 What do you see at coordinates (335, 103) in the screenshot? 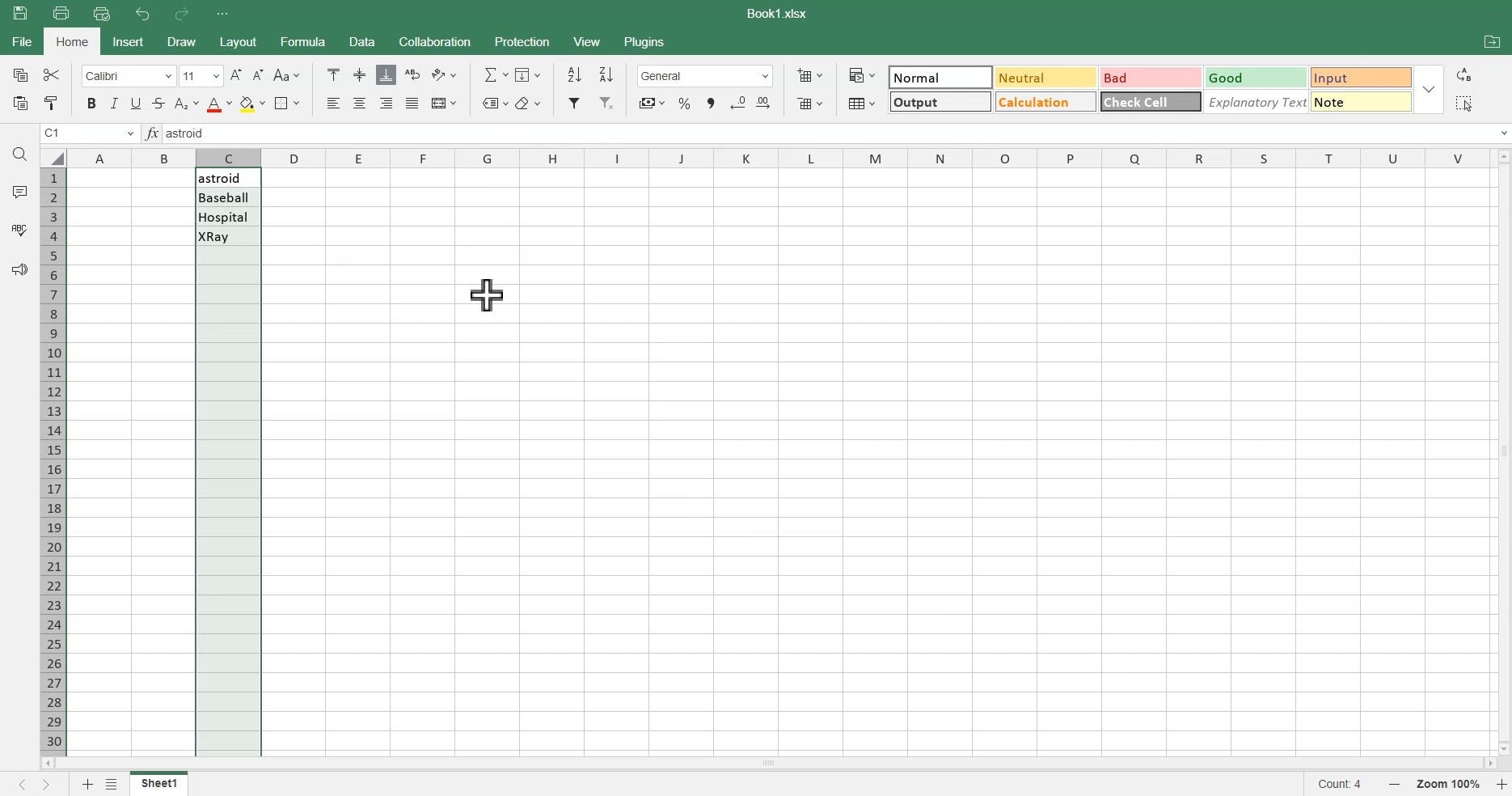
I see ` Align Left` at bounding box center [335, 103].